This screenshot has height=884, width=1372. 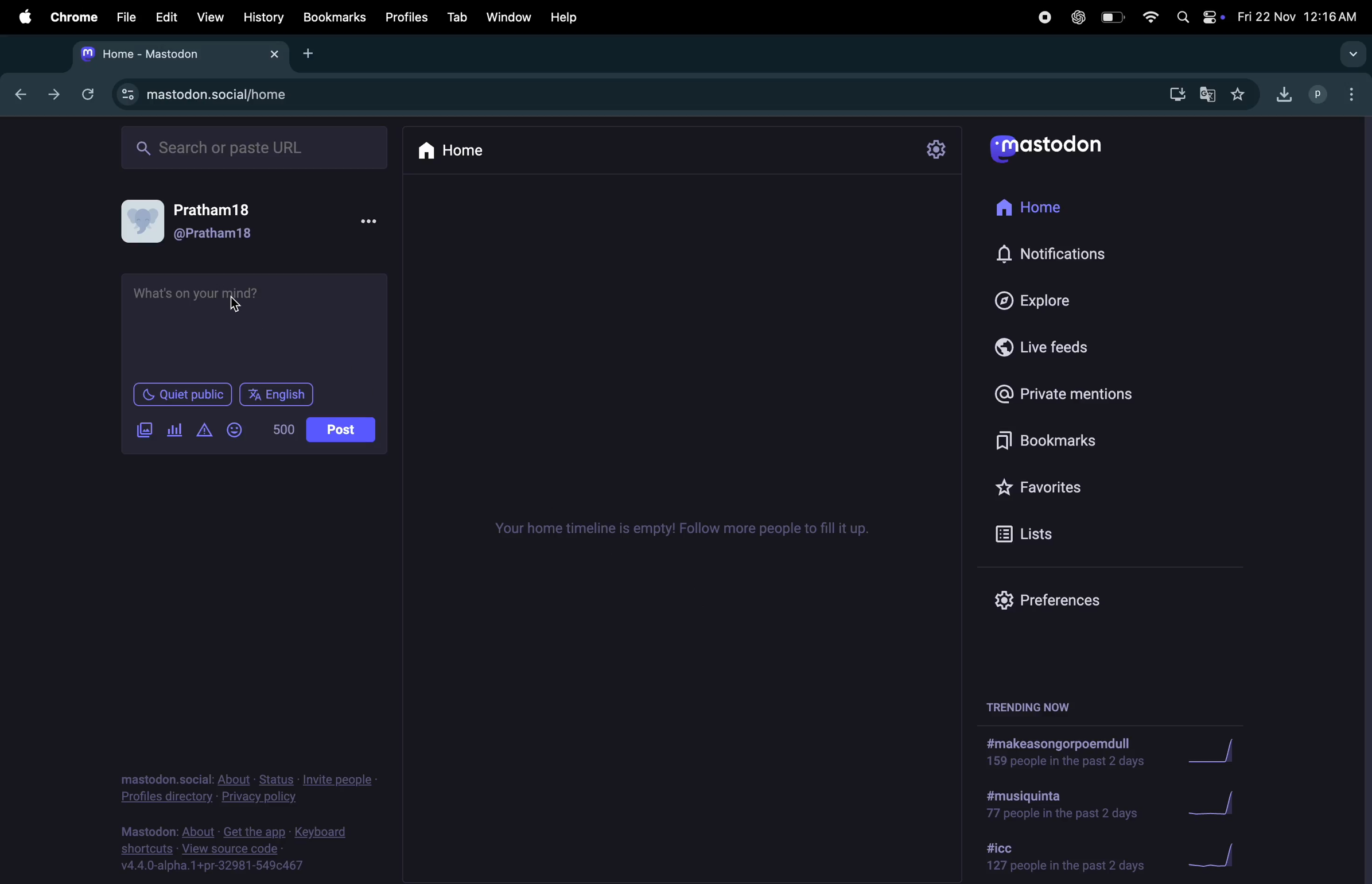 What do you see at coordinates (17, 94) in the screenshot?
I see `backtab` at bounding box center [17, 94].